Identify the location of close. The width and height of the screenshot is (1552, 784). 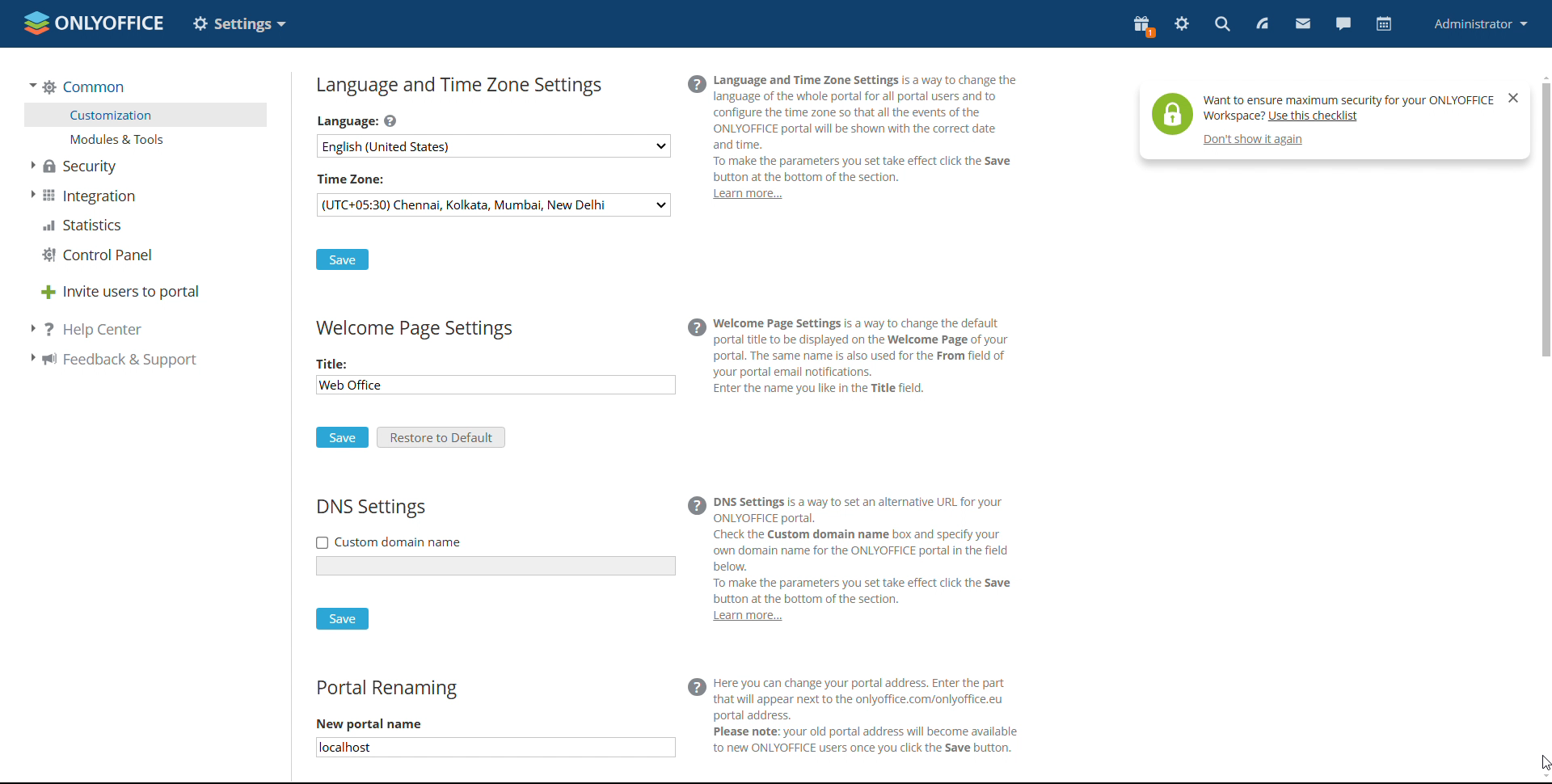
(1513, 98).